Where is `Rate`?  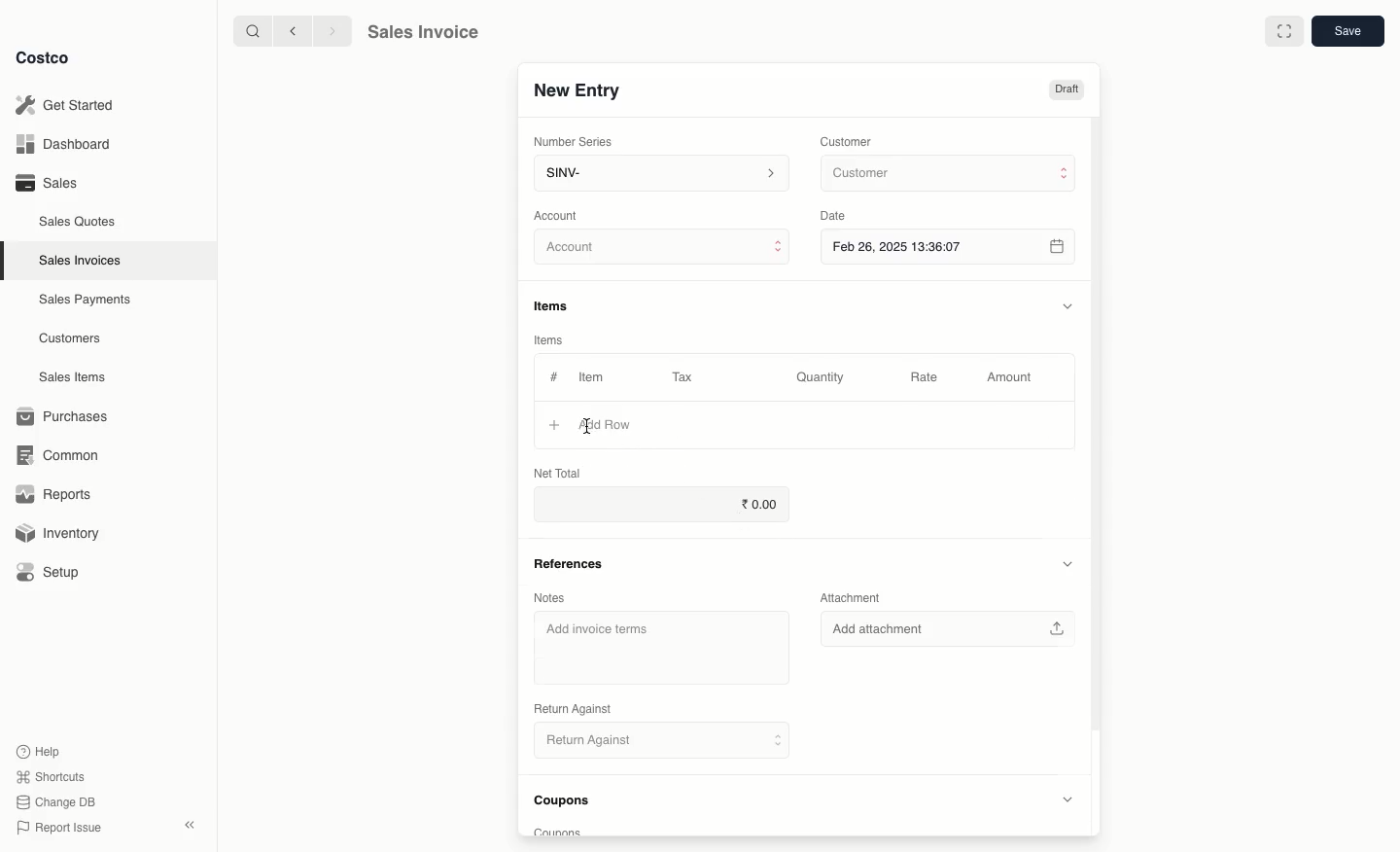
Rate is located at coordinates (927, 377).